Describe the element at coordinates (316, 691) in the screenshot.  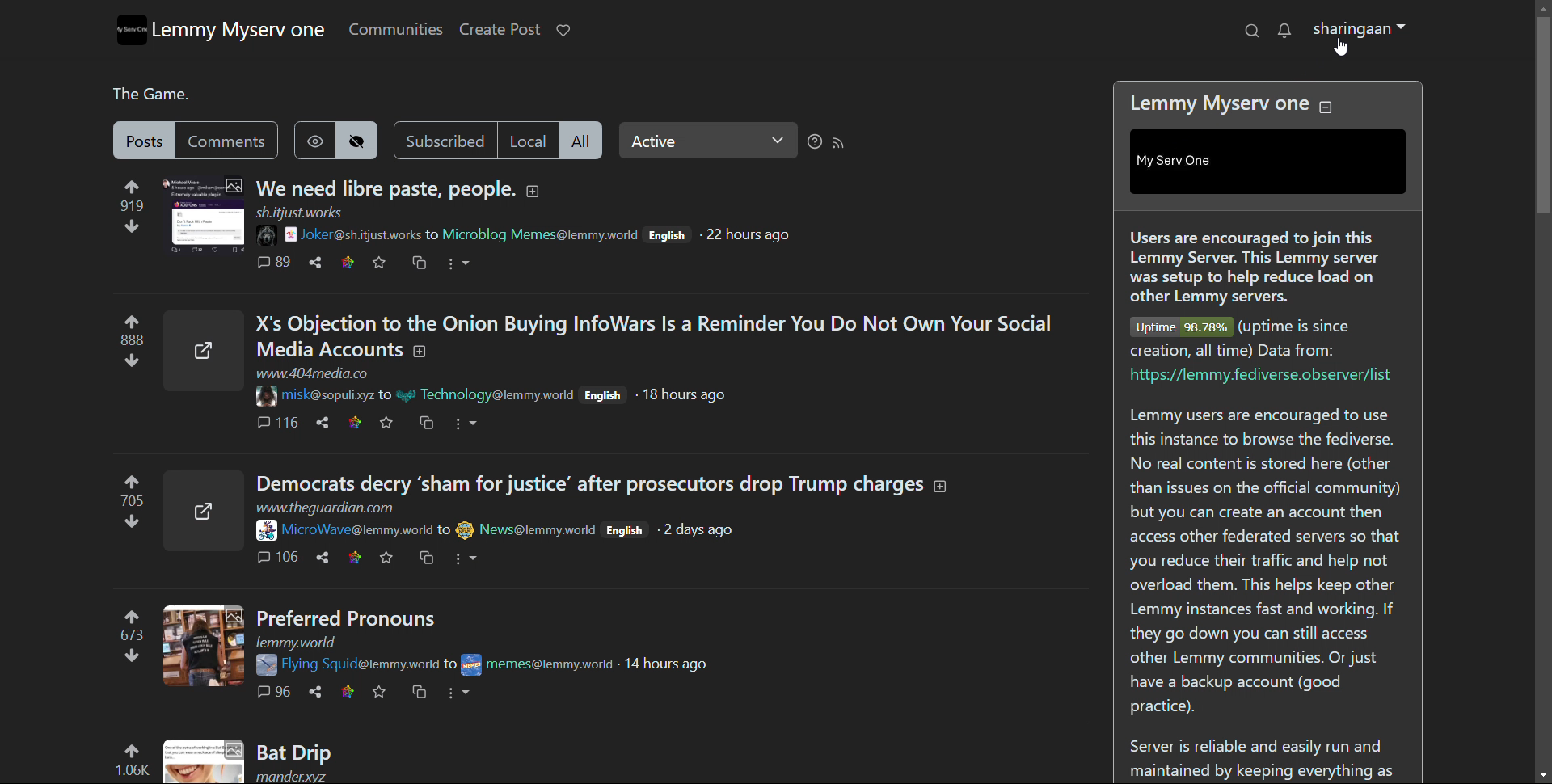
I see `share` at that location.